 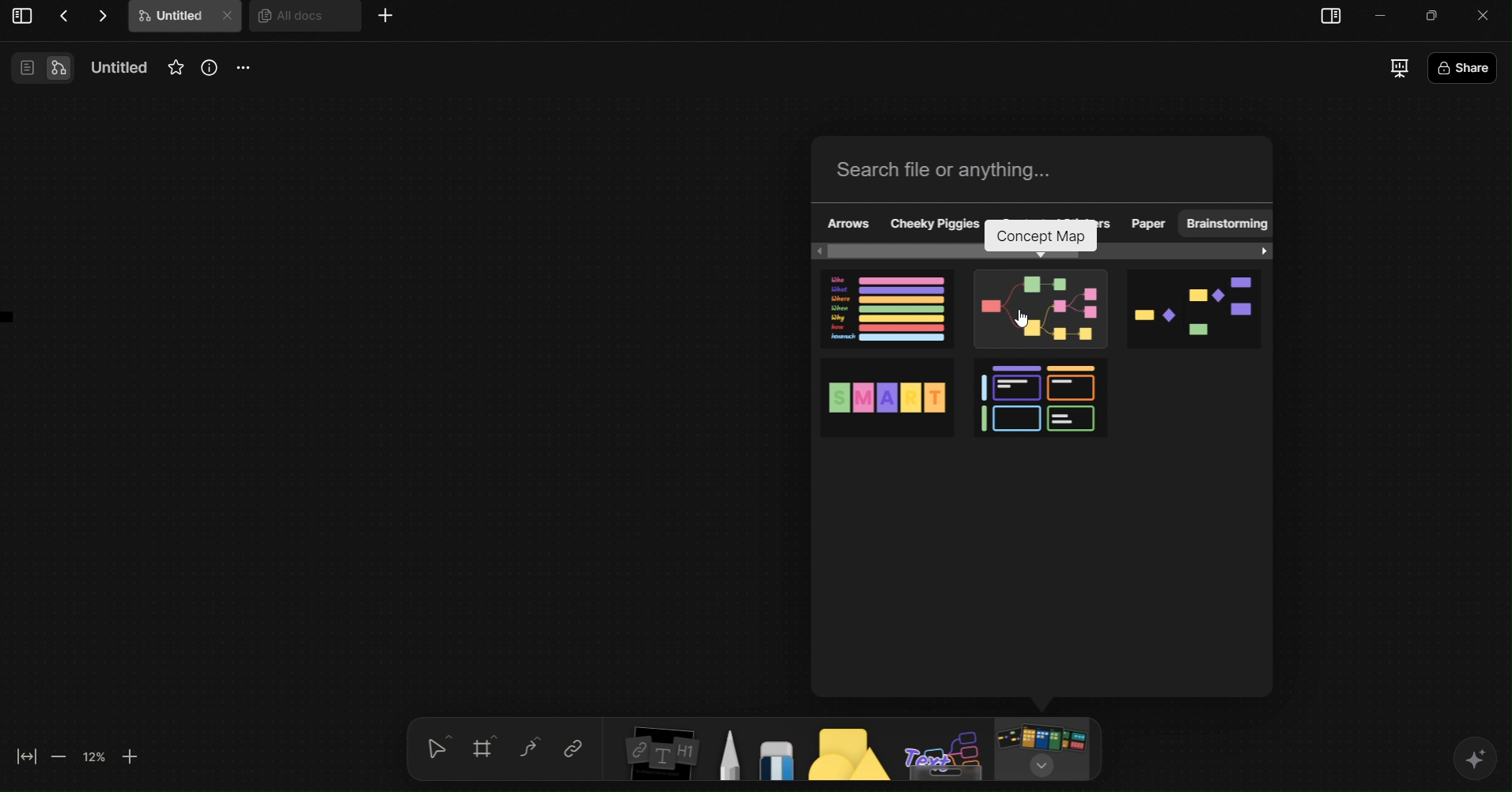 What do you see at coordinates (175, 66) in the screenshot?
I see `Favourites` at bounding box center [175, 66].